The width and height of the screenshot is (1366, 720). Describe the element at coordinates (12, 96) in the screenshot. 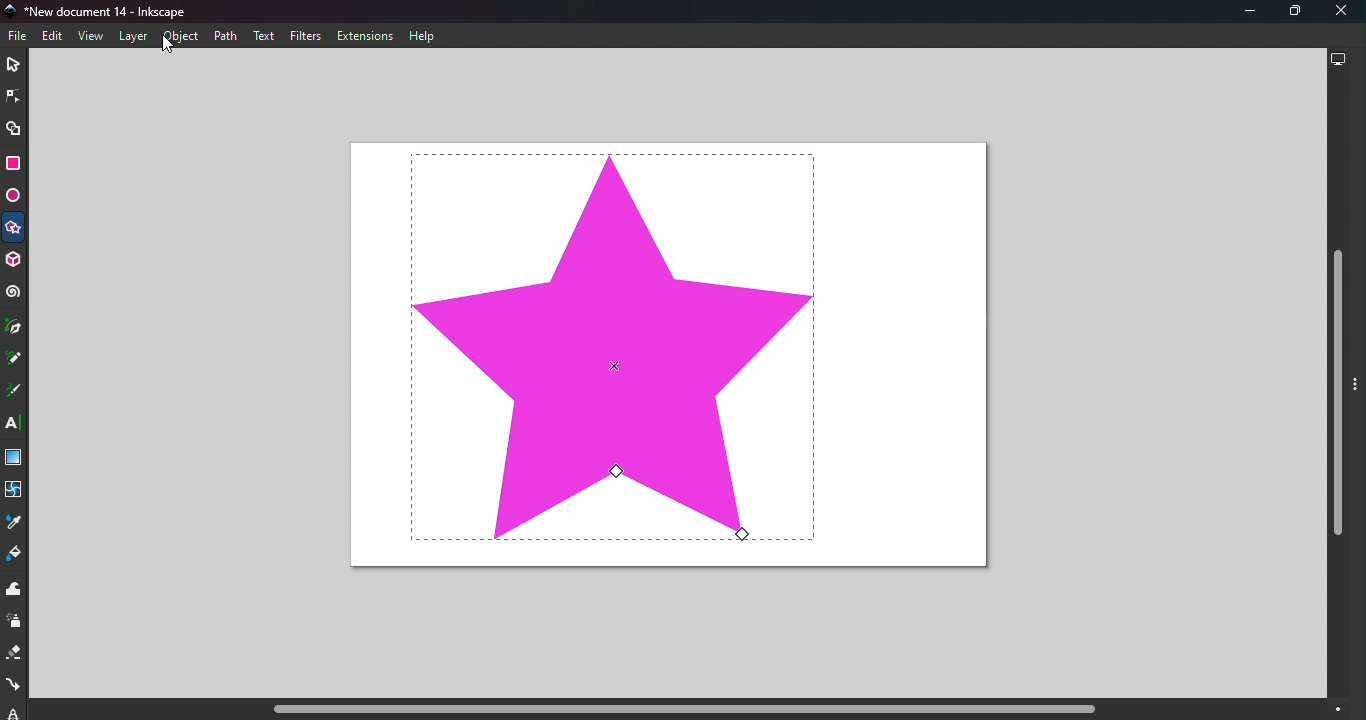

I see `Node tool` at that location.